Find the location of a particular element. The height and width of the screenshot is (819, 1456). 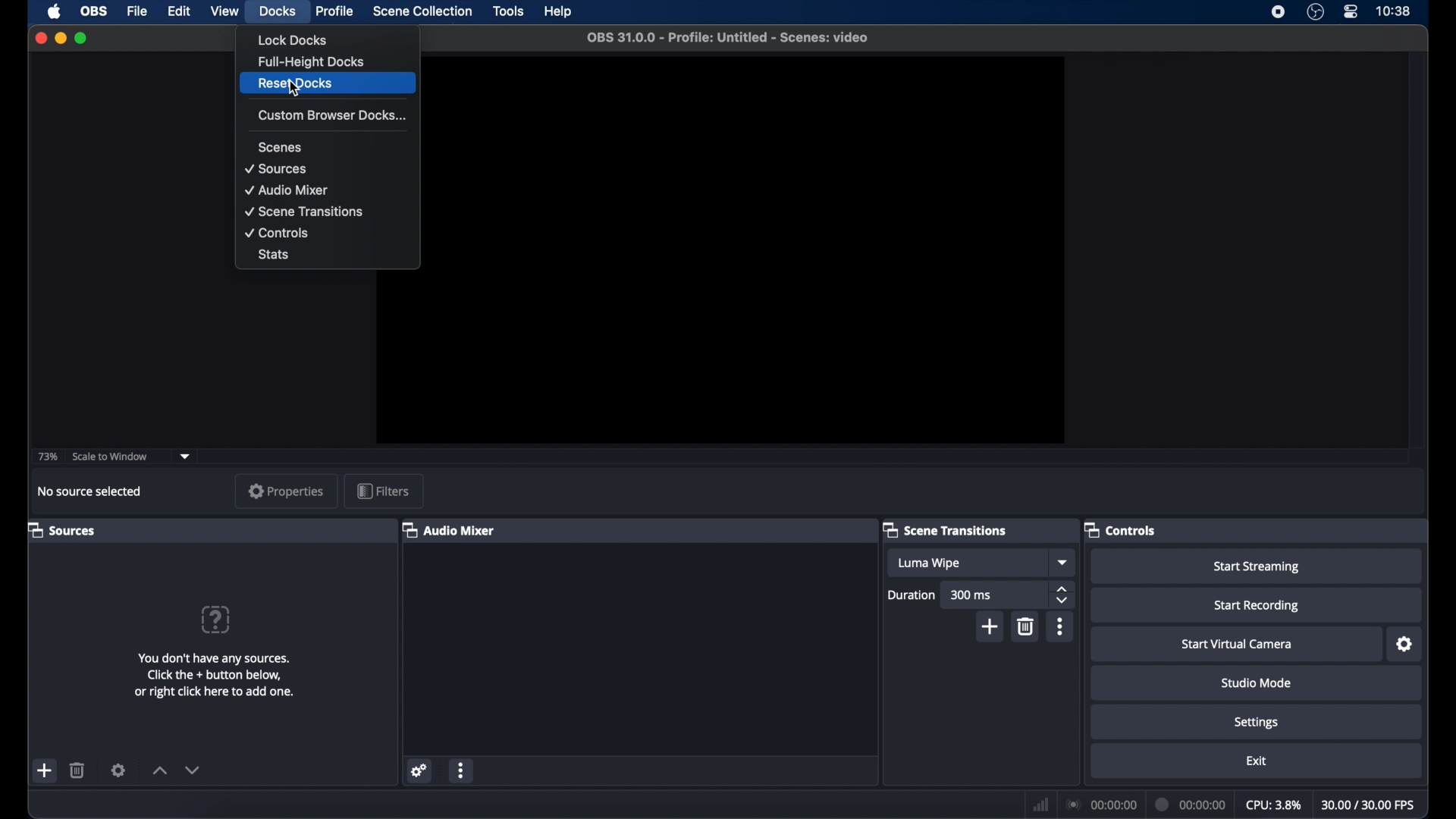

full height docks is located at coordinates (310, 62).